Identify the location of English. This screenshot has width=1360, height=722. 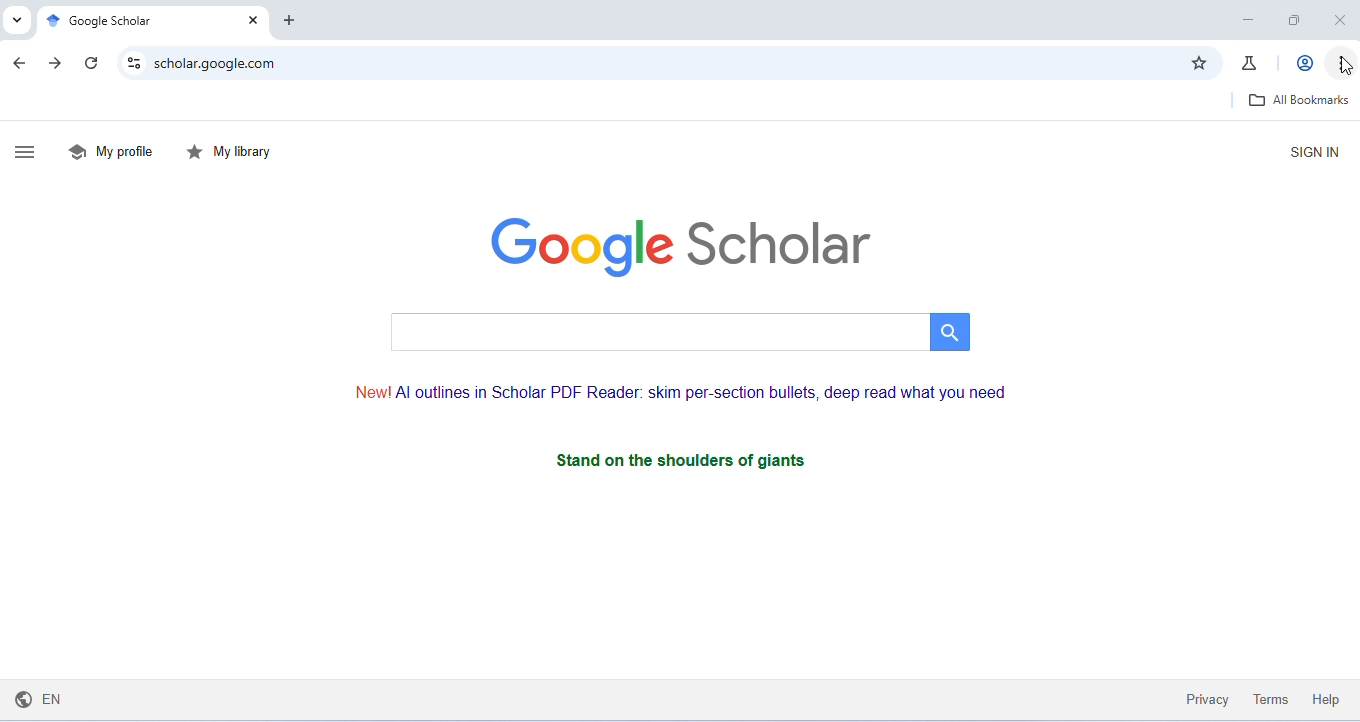
(48, 701).